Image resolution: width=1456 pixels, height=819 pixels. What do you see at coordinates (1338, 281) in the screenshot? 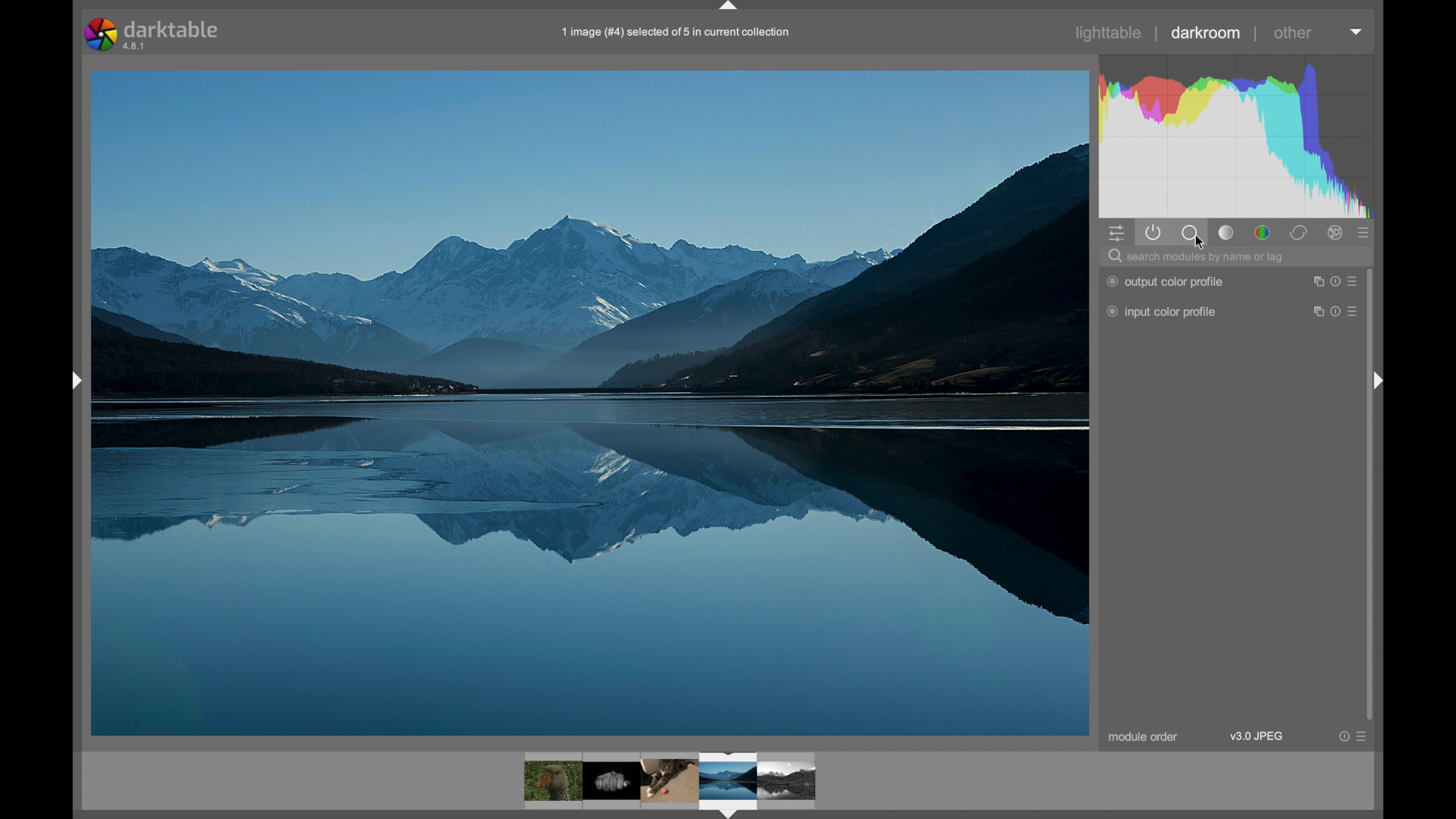
I see `more options` at bounding box center [1338, 281].